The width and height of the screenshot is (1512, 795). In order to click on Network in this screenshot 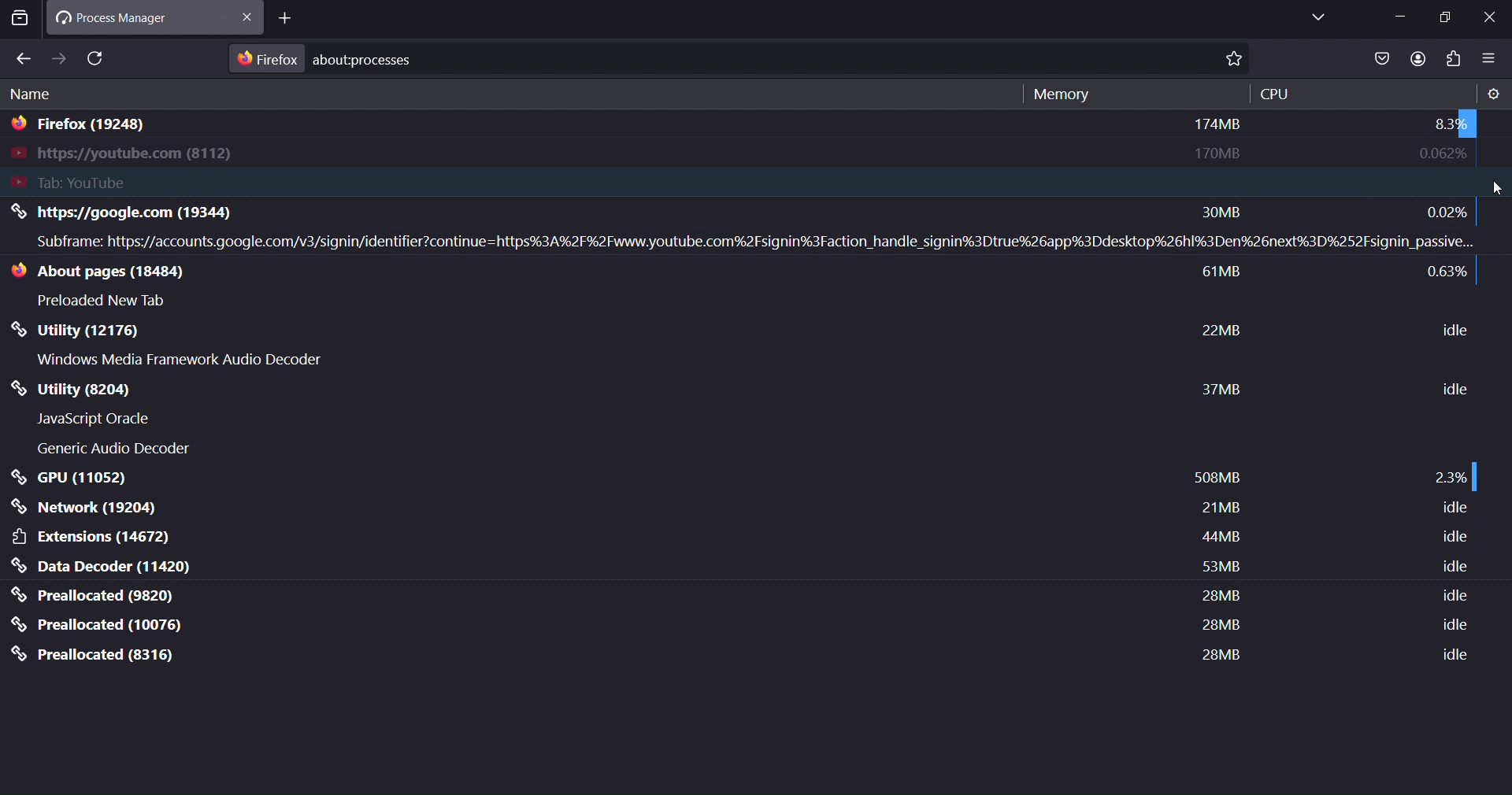, I will do `click(89, 508)`.